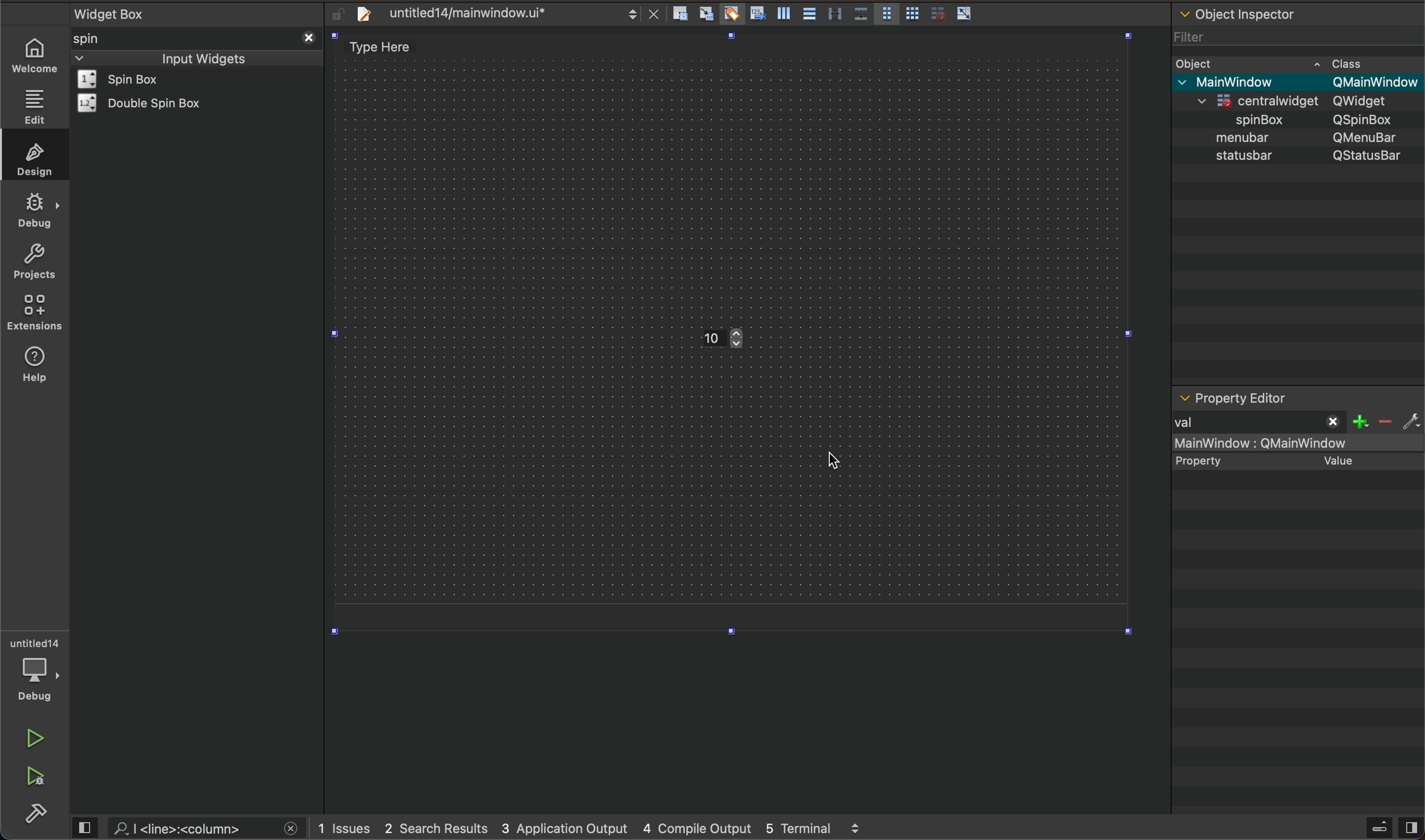  Describe the element at coordinates (601, 829) in the screenshot. I see `logs` at that location.